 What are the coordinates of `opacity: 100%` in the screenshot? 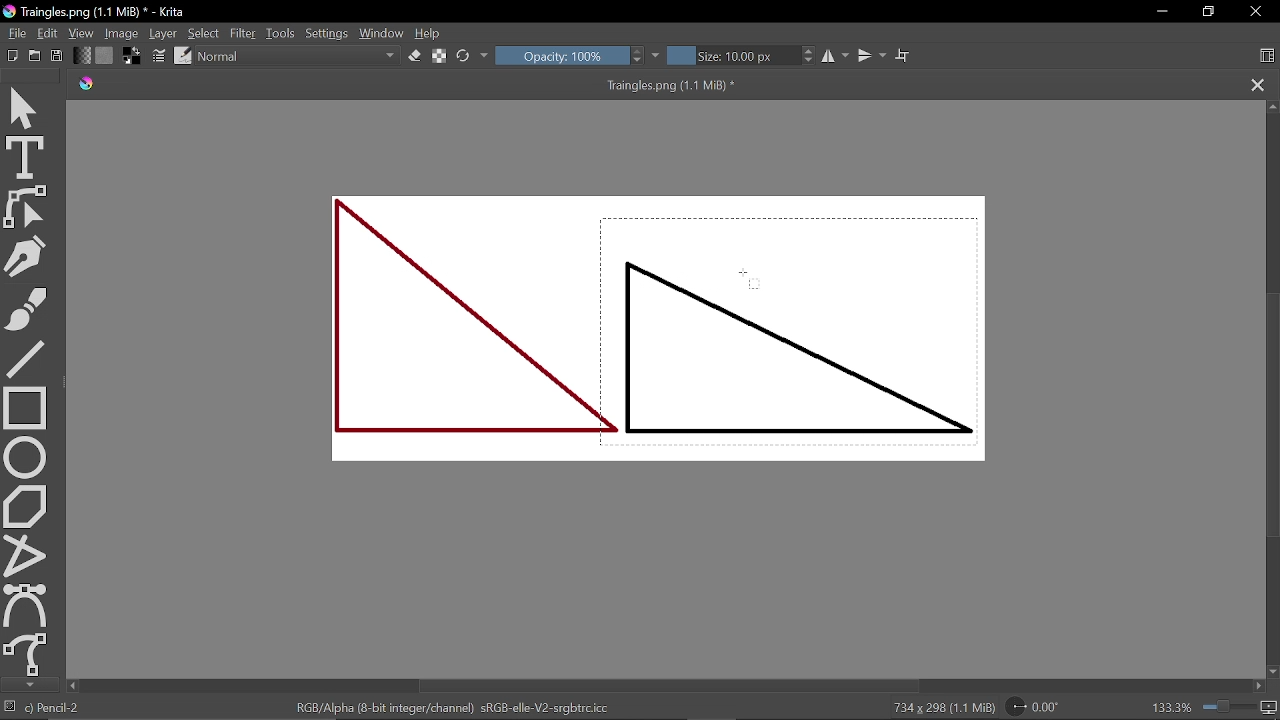 It's located at (579, 55).